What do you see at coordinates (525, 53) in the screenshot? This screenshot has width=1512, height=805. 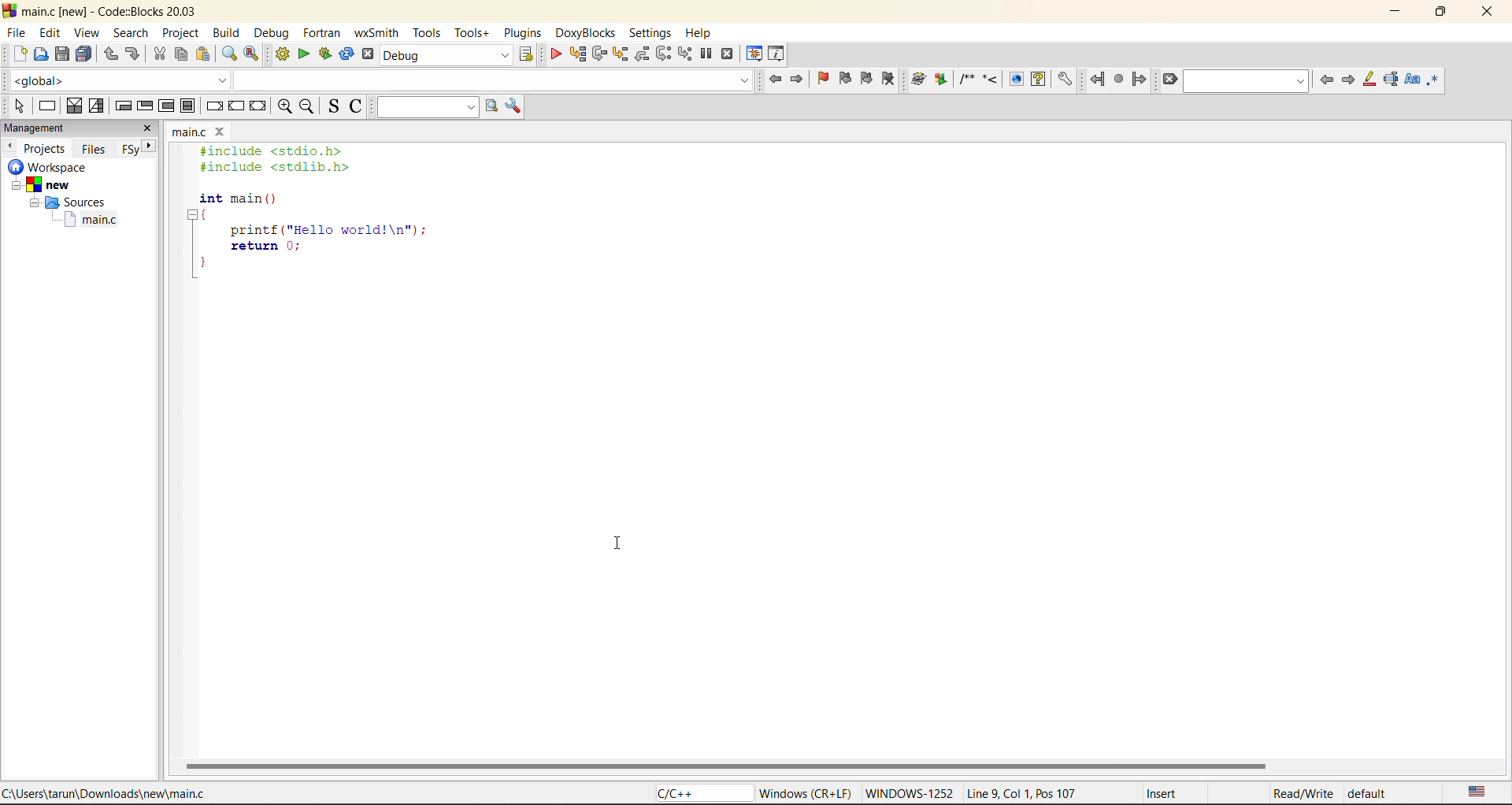 I see `show select target dialog` at bounding box center [525, 53].